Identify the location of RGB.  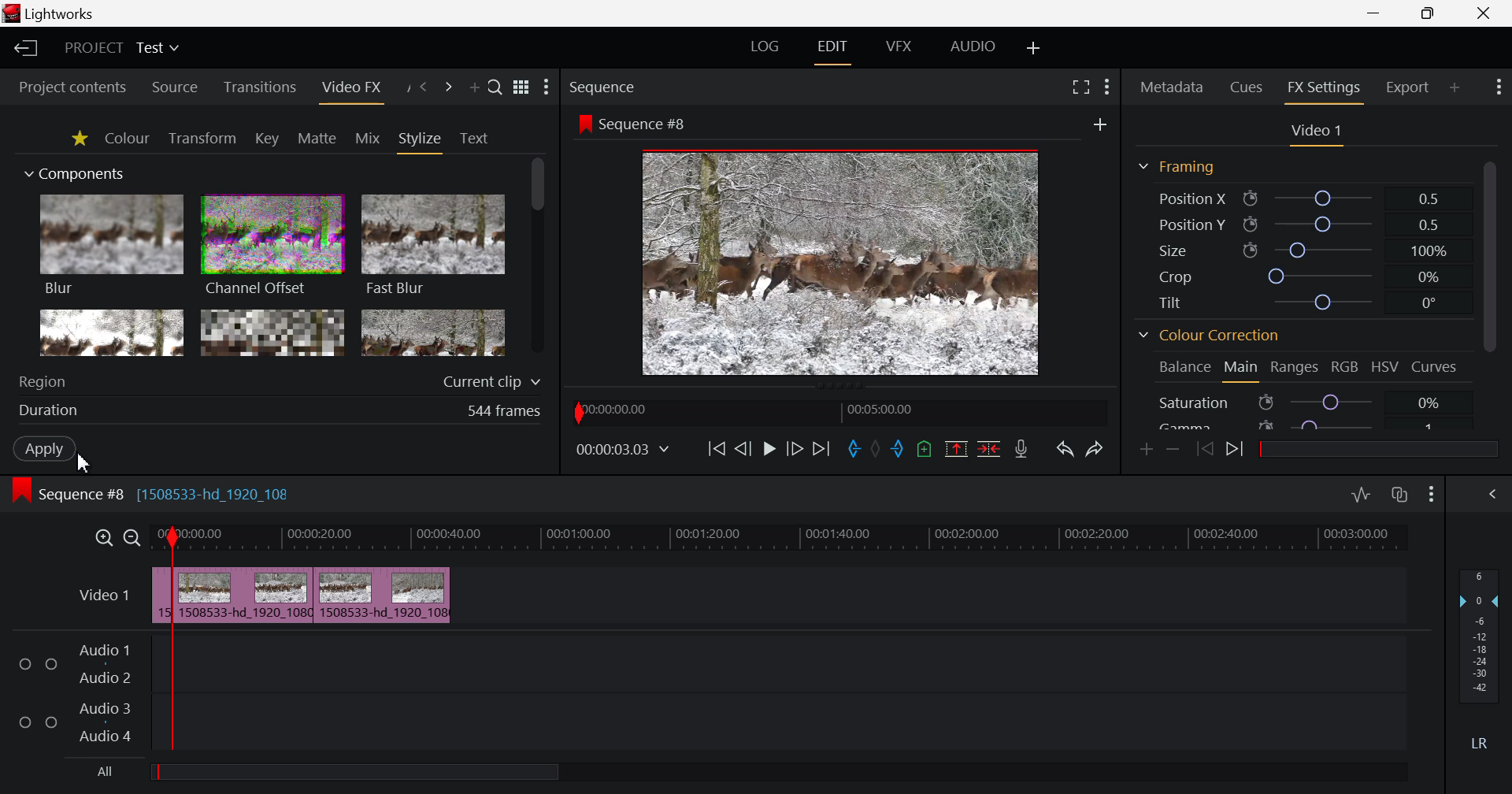
(1346, 366).